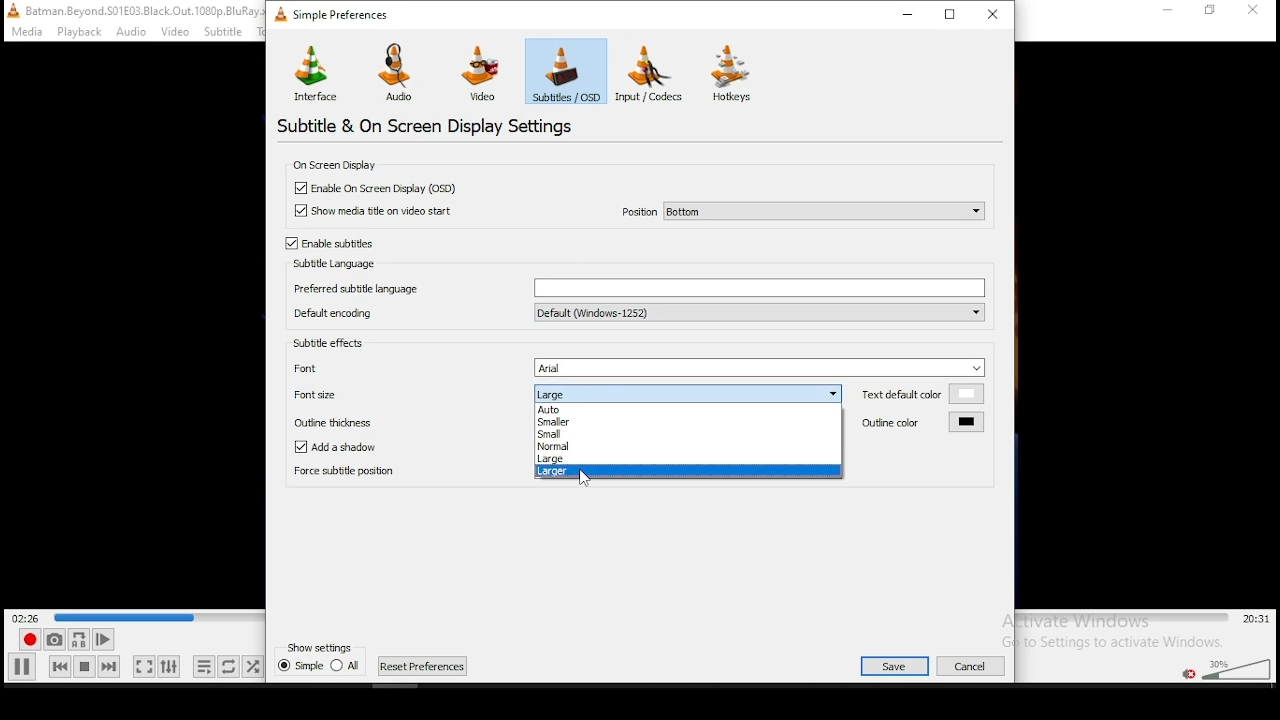 The image size is (1280, 720). I want to click on cursor, so click(585, 478).